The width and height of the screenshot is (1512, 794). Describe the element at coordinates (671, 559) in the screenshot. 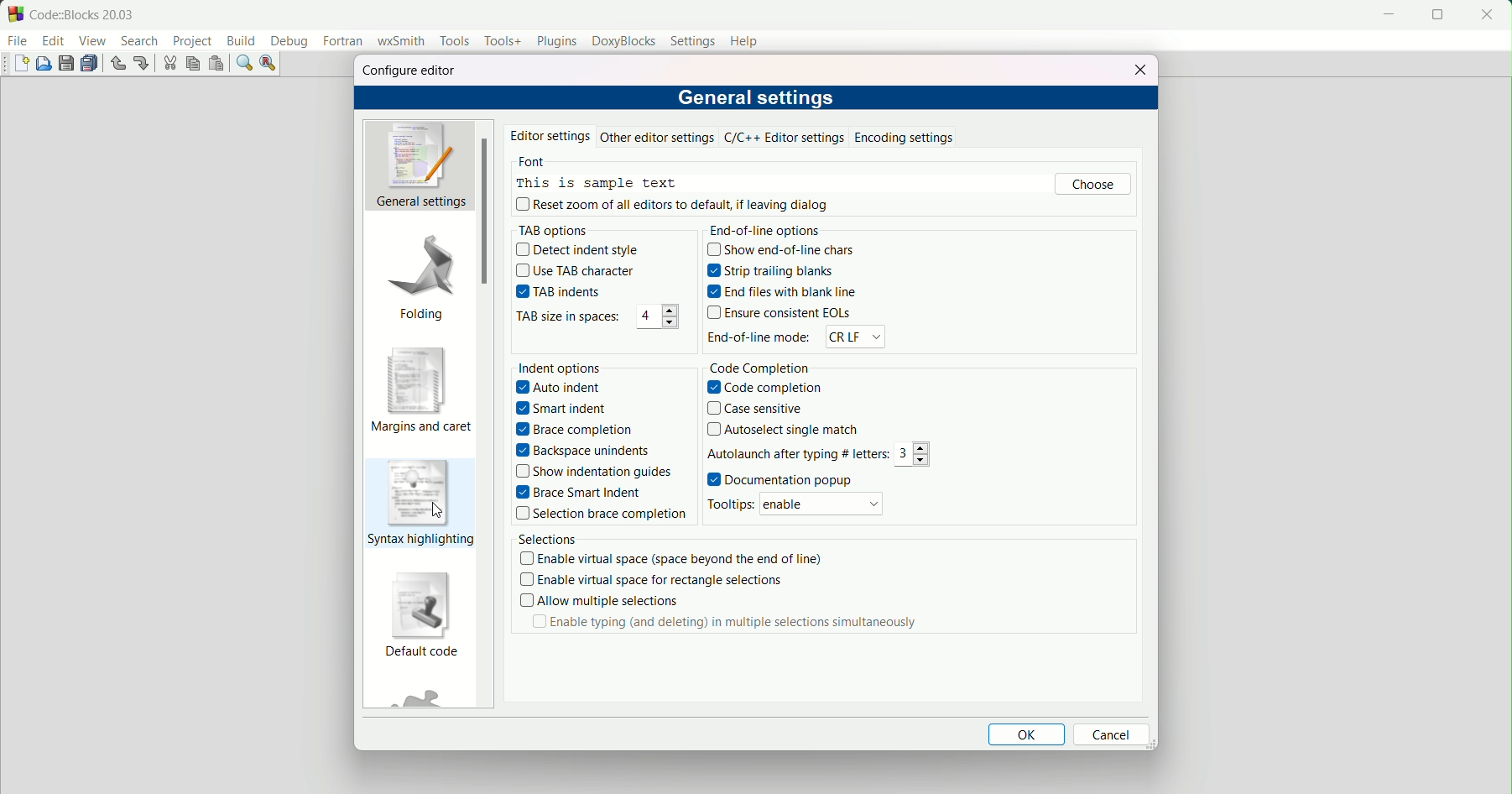

I see `enable virtual space` at that location.